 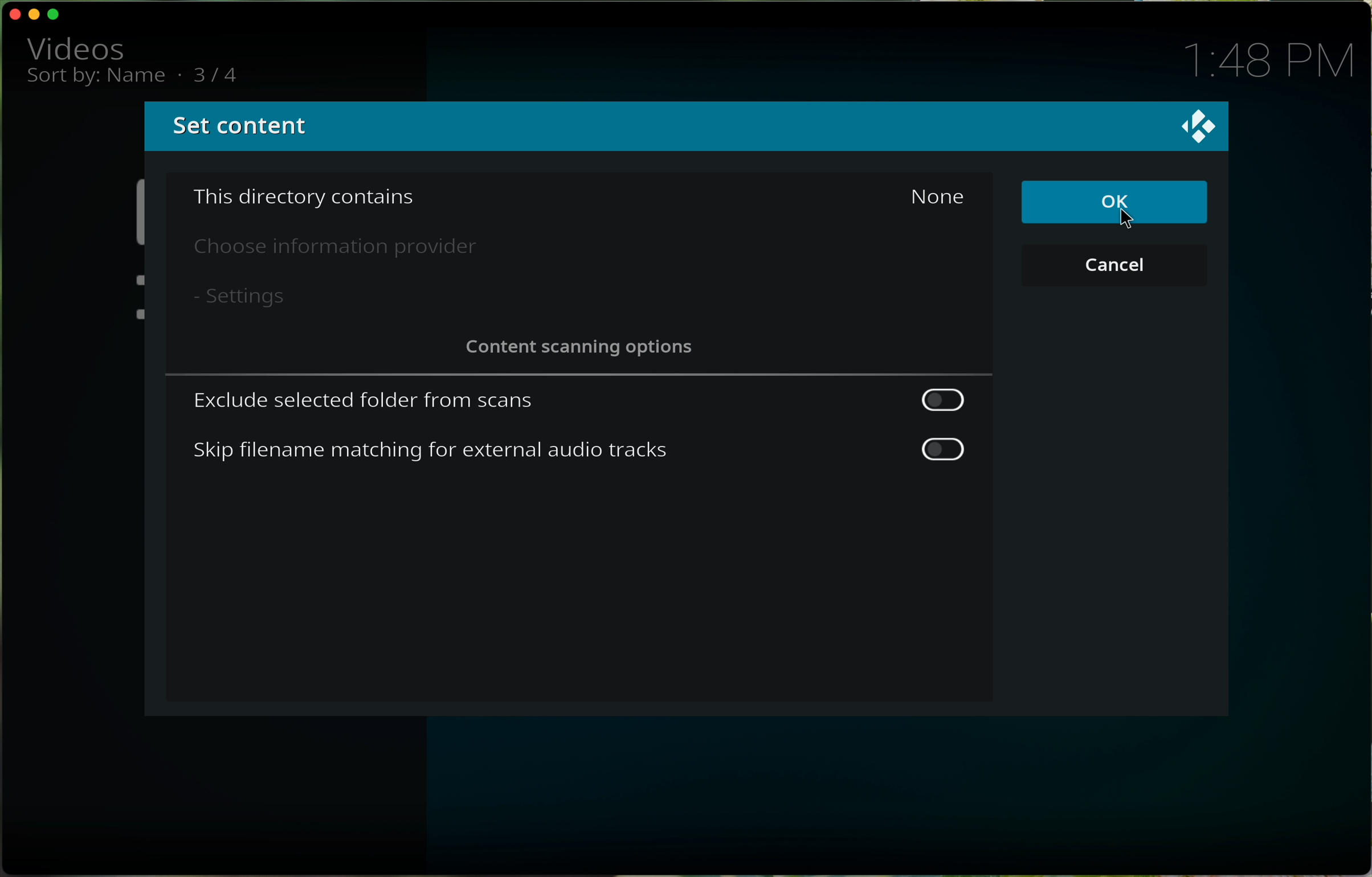 What do you see at coordinates (579, 350) in the screenshot?
I see `content scanning options` at bounding box center [579, 350].